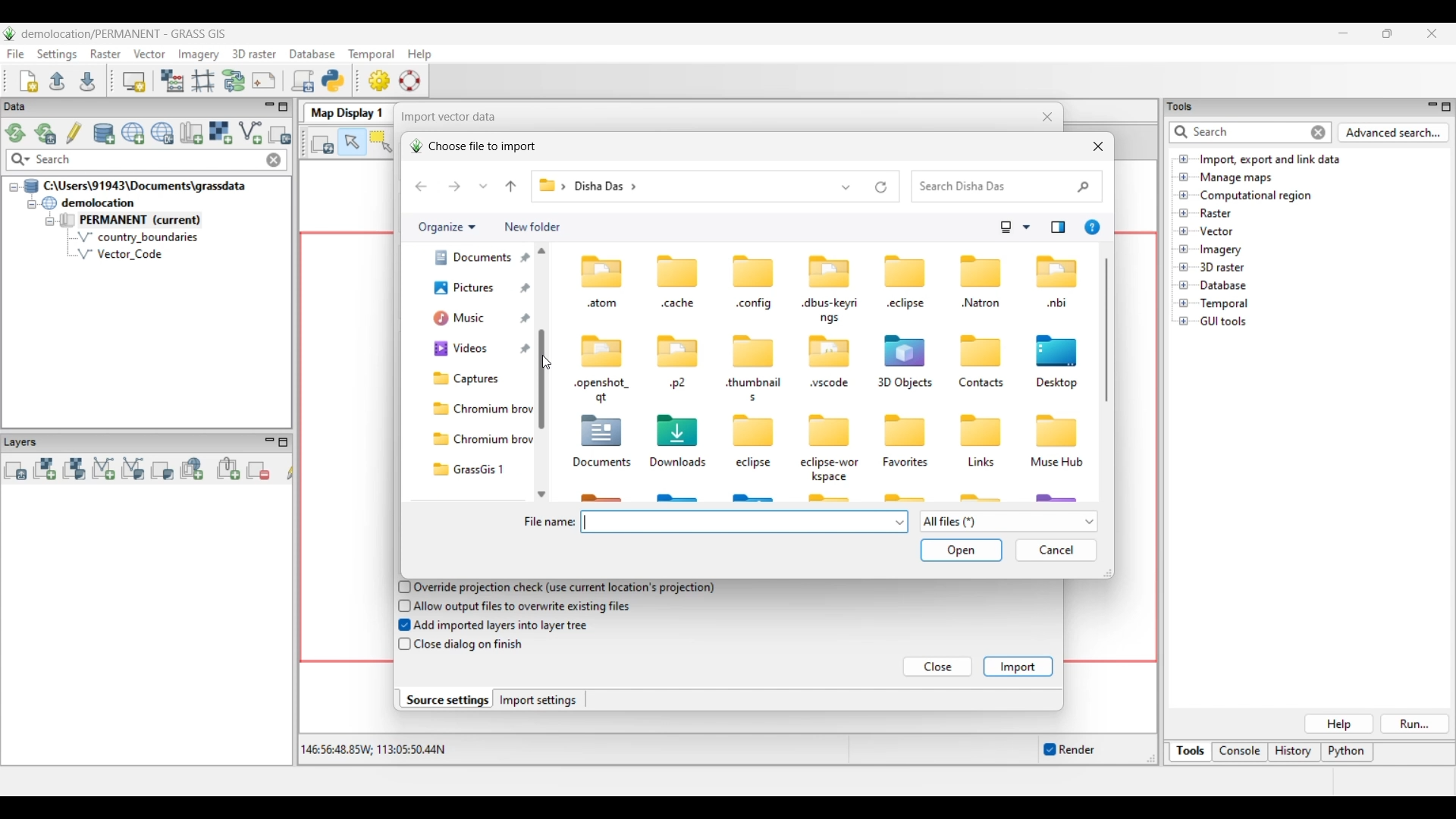 This screenshot has height=819, width=1456. Describe the element at coordinates (678, 384) in the screenshot. I see `p2` at that location.